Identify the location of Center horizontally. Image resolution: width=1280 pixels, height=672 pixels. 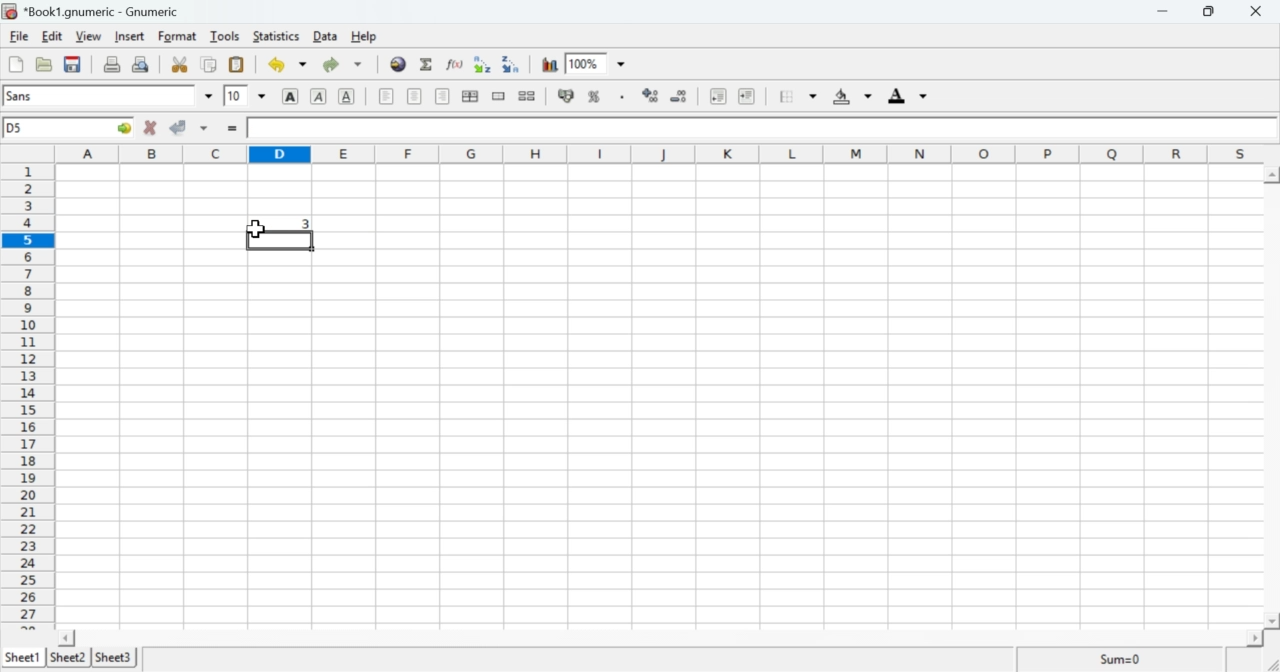
(442, 96).